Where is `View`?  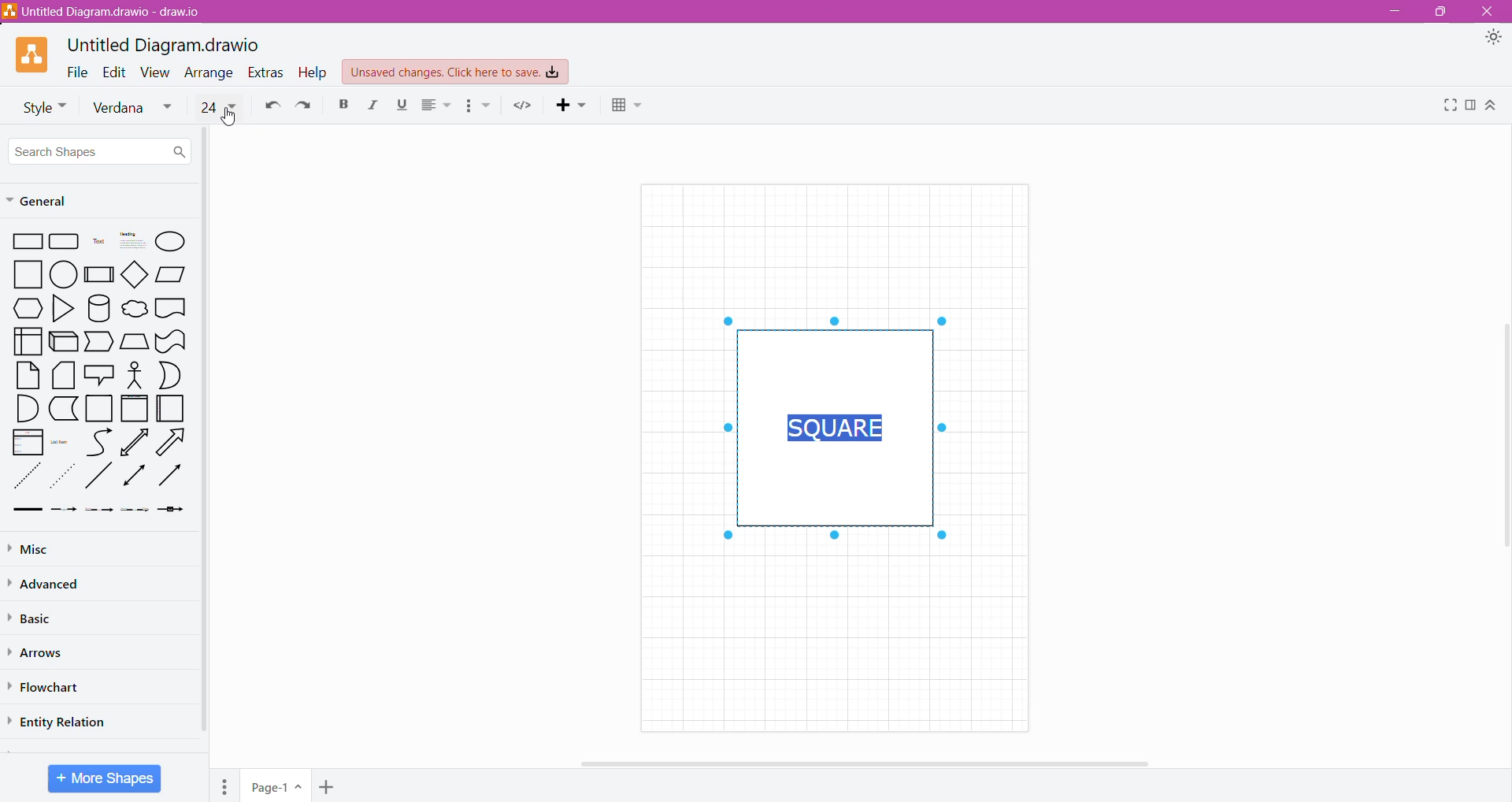
View is located at coordinates (158, 72).